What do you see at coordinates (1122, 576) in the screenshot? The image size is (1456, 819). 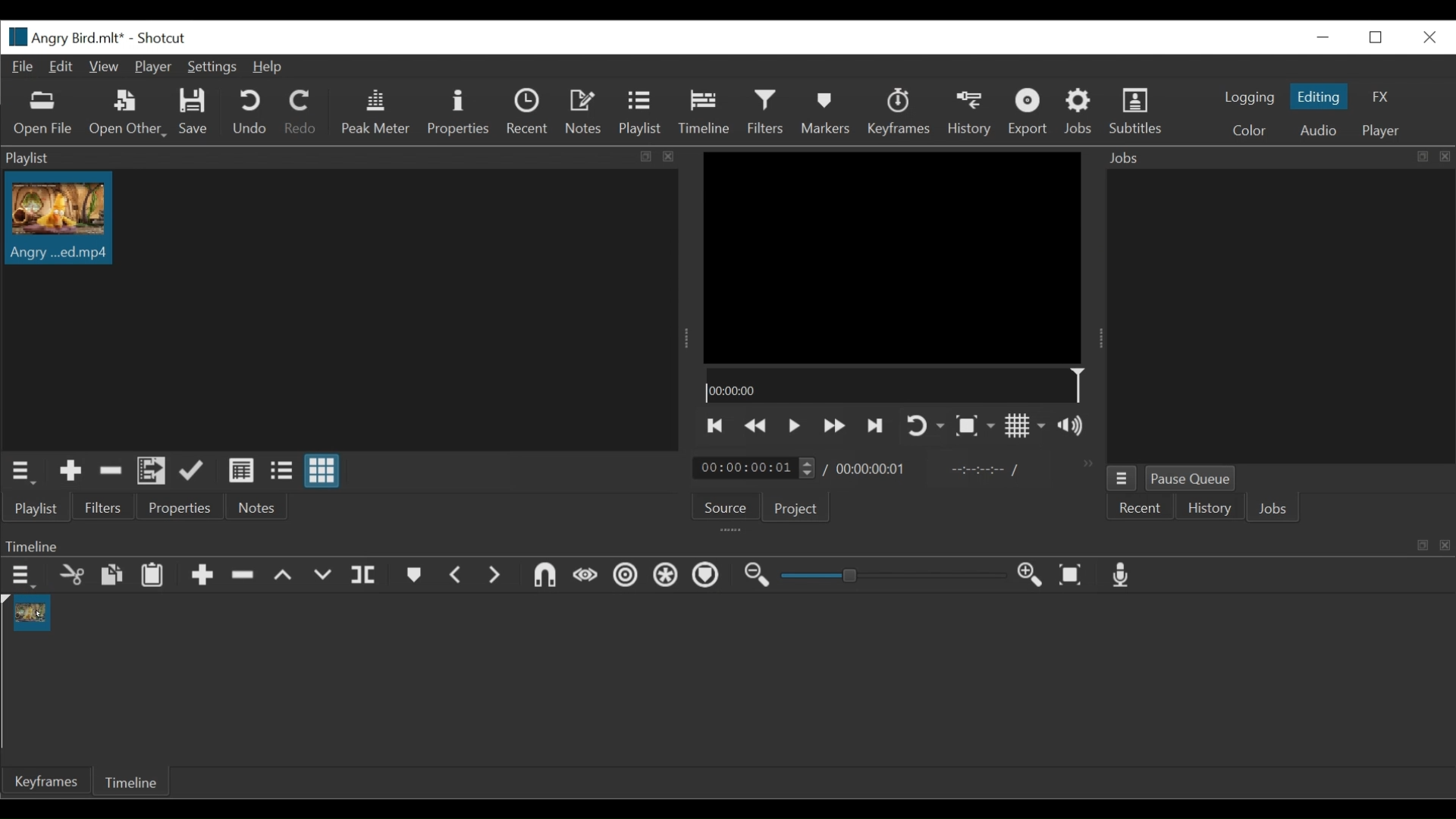 I see `Record audio` at bounding box center [1122, 576].